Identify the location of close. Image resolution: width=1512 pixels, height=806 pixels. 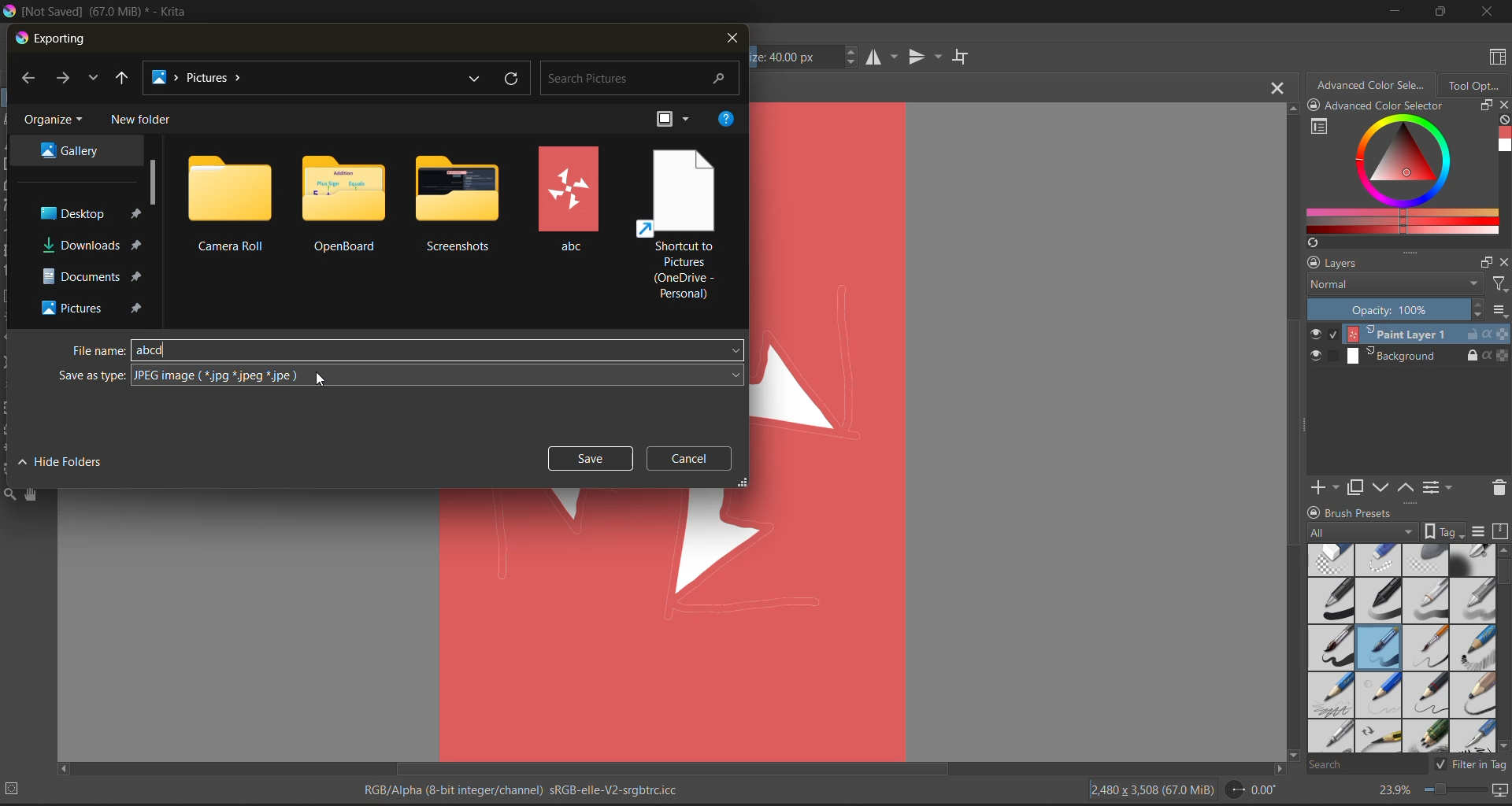
(1503, 105).